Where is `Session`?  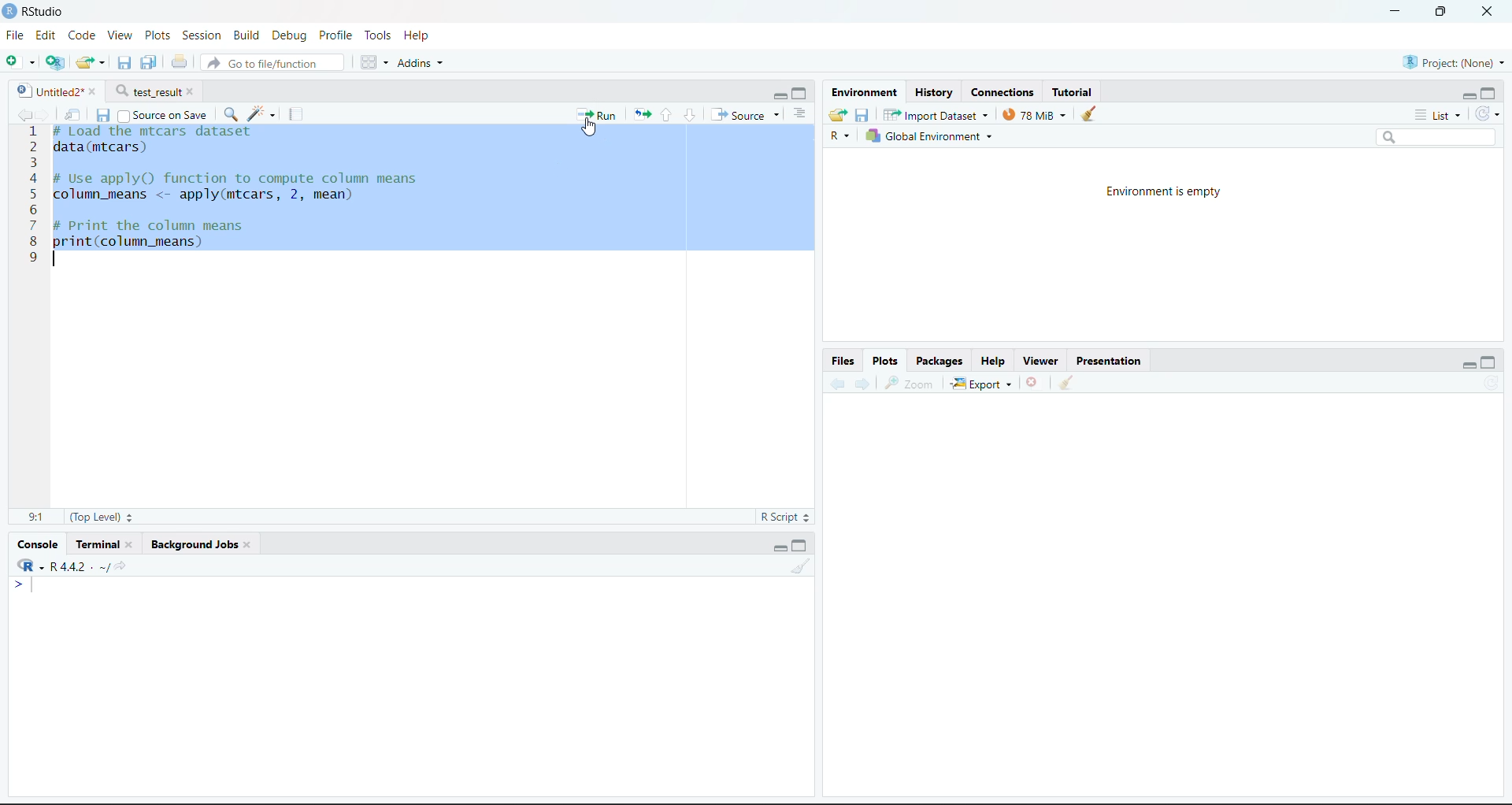 Session is located at coordinates (201, 34).